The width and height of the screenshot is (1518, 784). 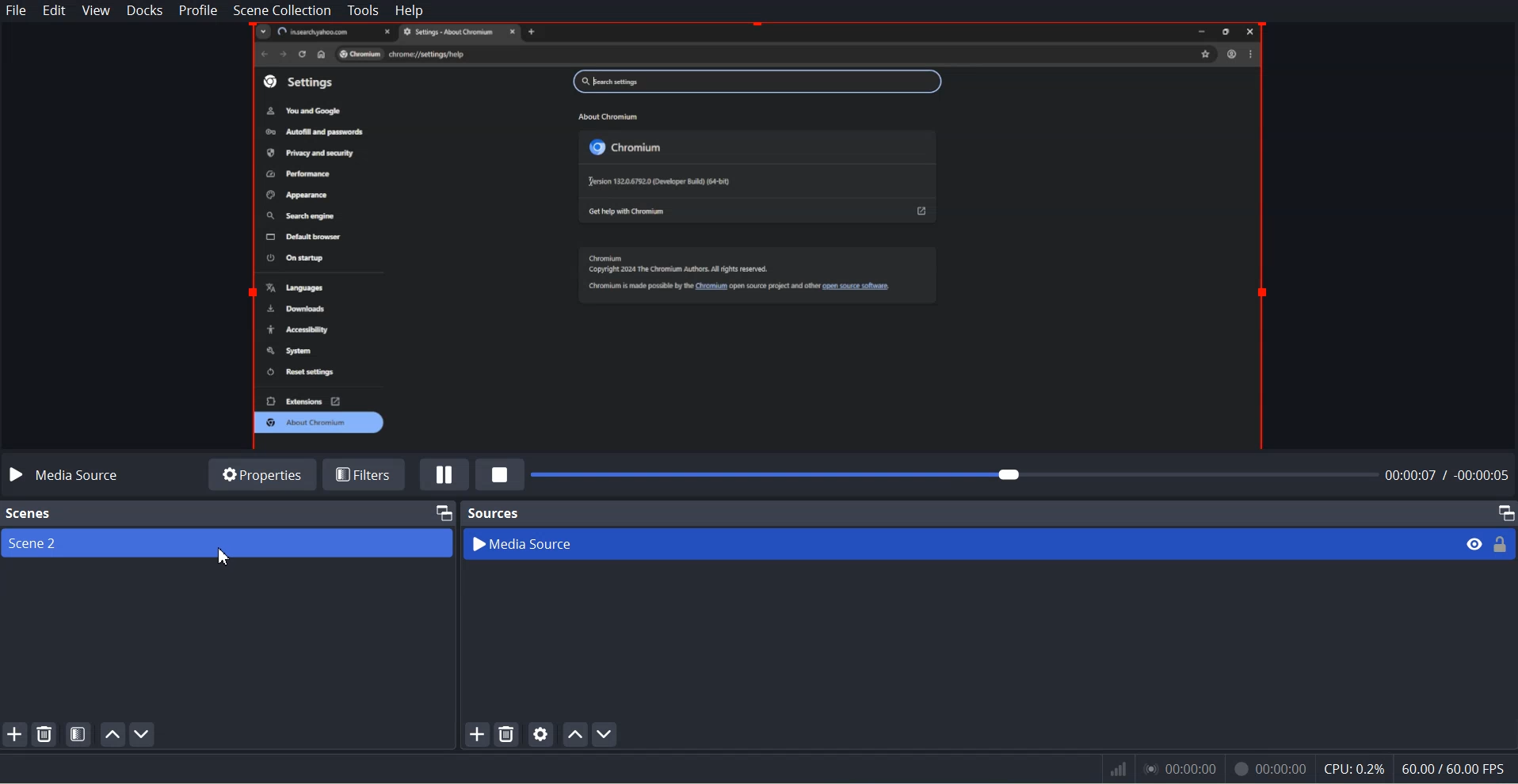 What do you see at coordinates (507, 734) in the screenshot?
I see `Remove Selected Source` at bounding box center [507, 734].